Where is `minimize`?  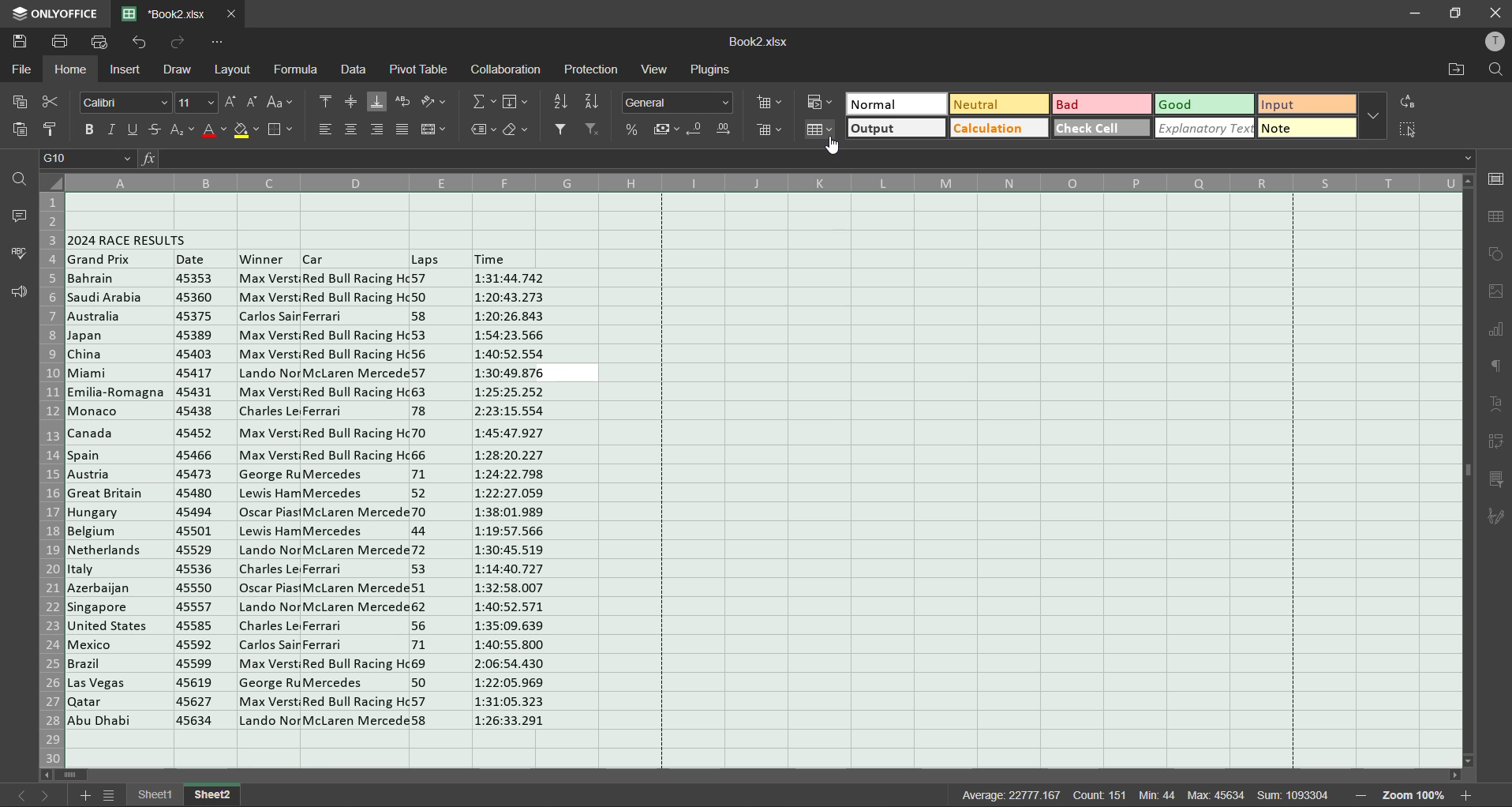
minimize is located at coordinates (1415, 14).